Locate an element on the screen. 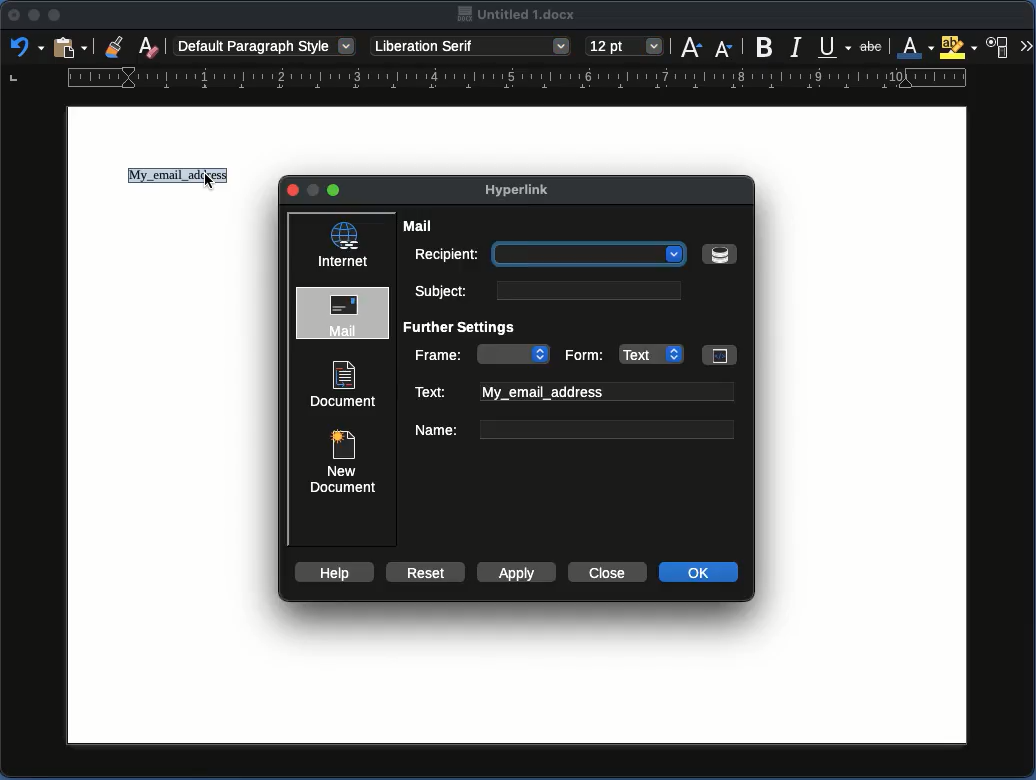 This screenshot has height=780, width=1036. Minimize is located at coordinates (335, 190).